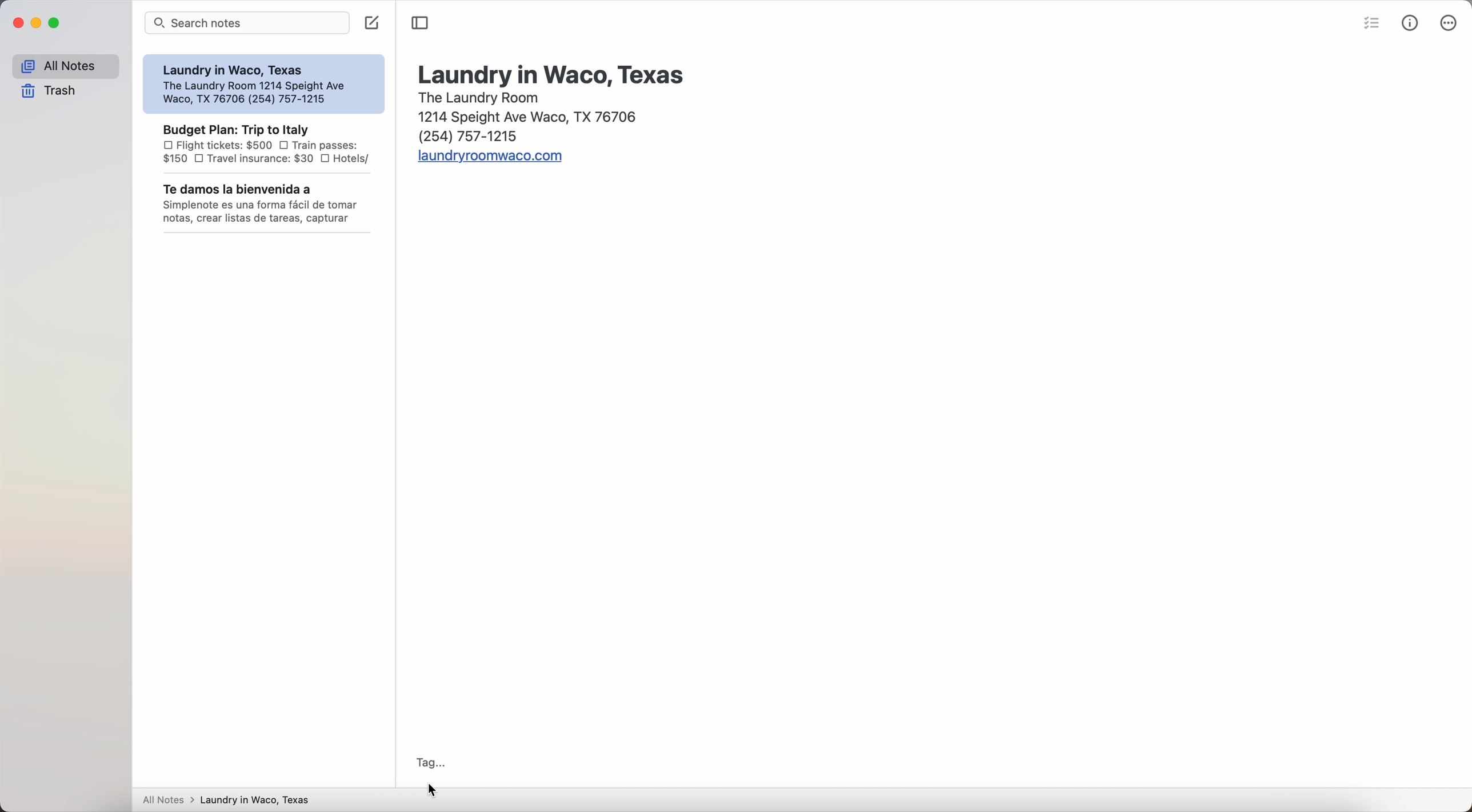 This screenshot has width=1472, height=812. Describe the element at coordinates (262, 84) in the screenshot. I see `Laundry in Waco, Texas note` at that location.